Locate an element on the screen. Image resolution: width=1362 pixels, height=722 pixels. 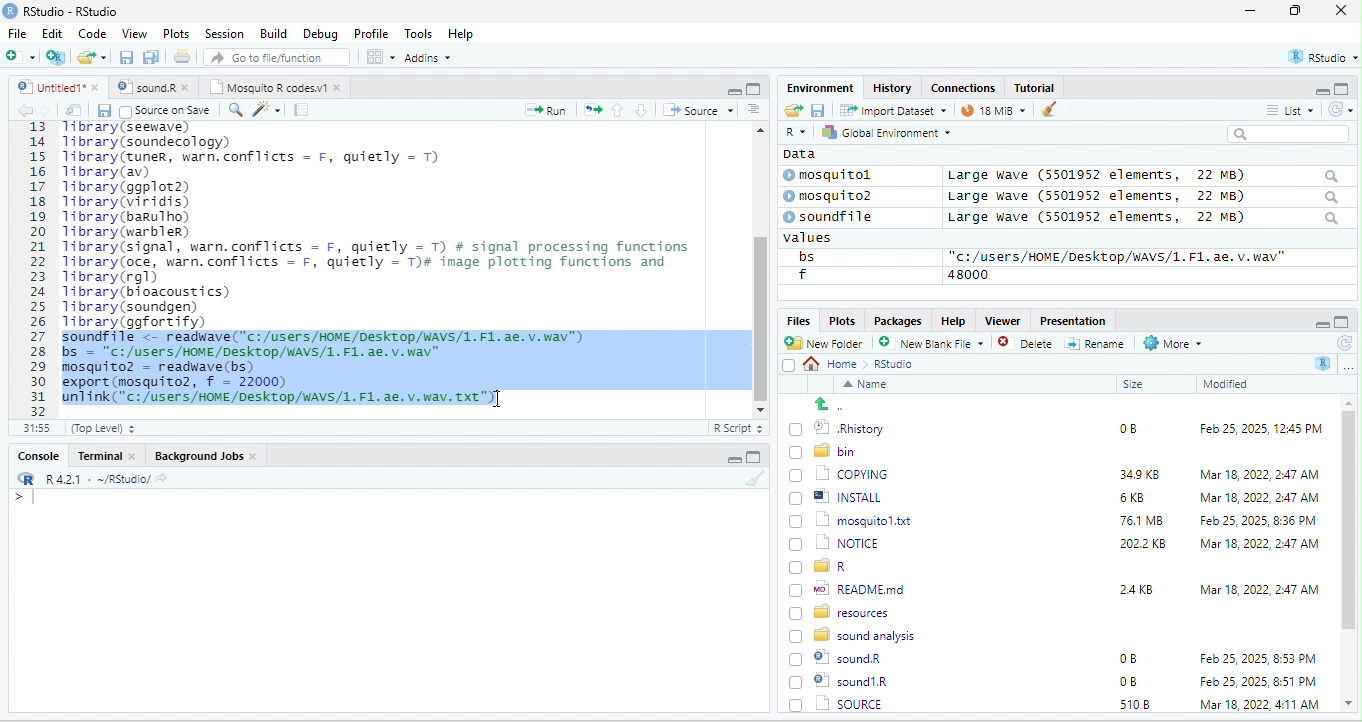
” Go to file/function is located at coordinates (278, 59).